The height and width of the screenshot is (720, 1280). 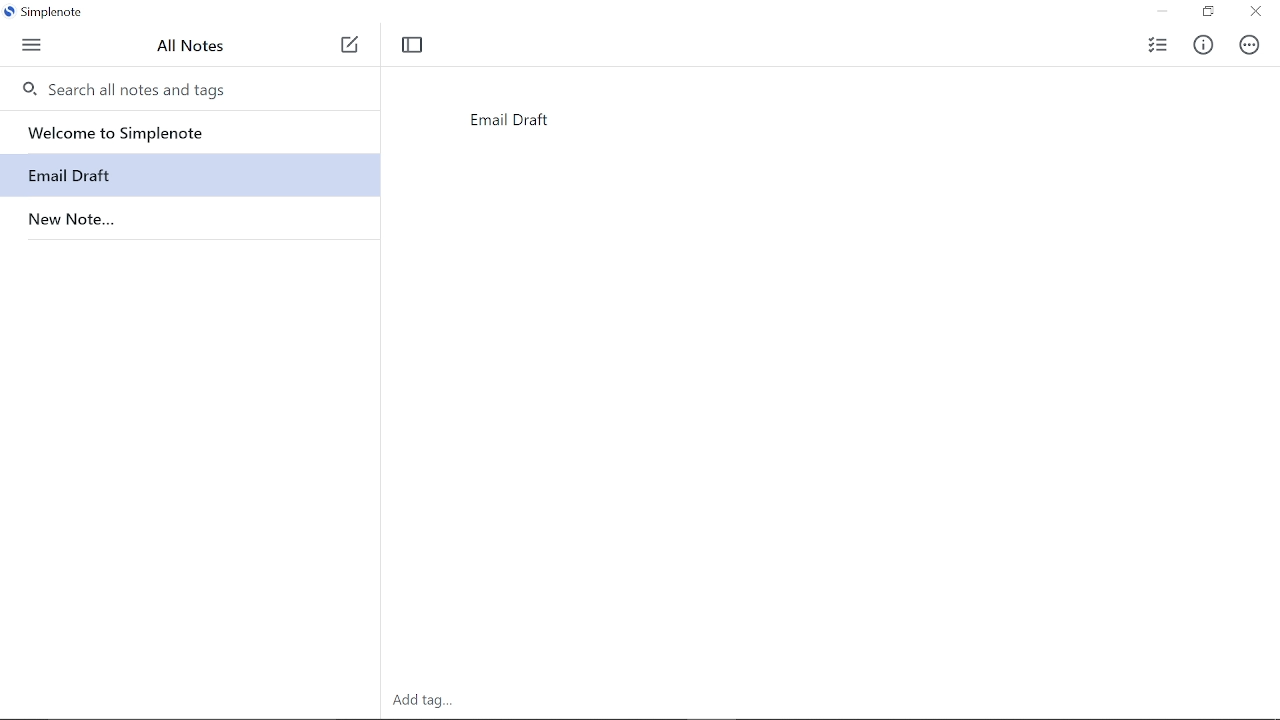 What do you see at coordinates (1208, 13) in the screenshot?
I see `Restore down` at bounding box center [1208, 13].